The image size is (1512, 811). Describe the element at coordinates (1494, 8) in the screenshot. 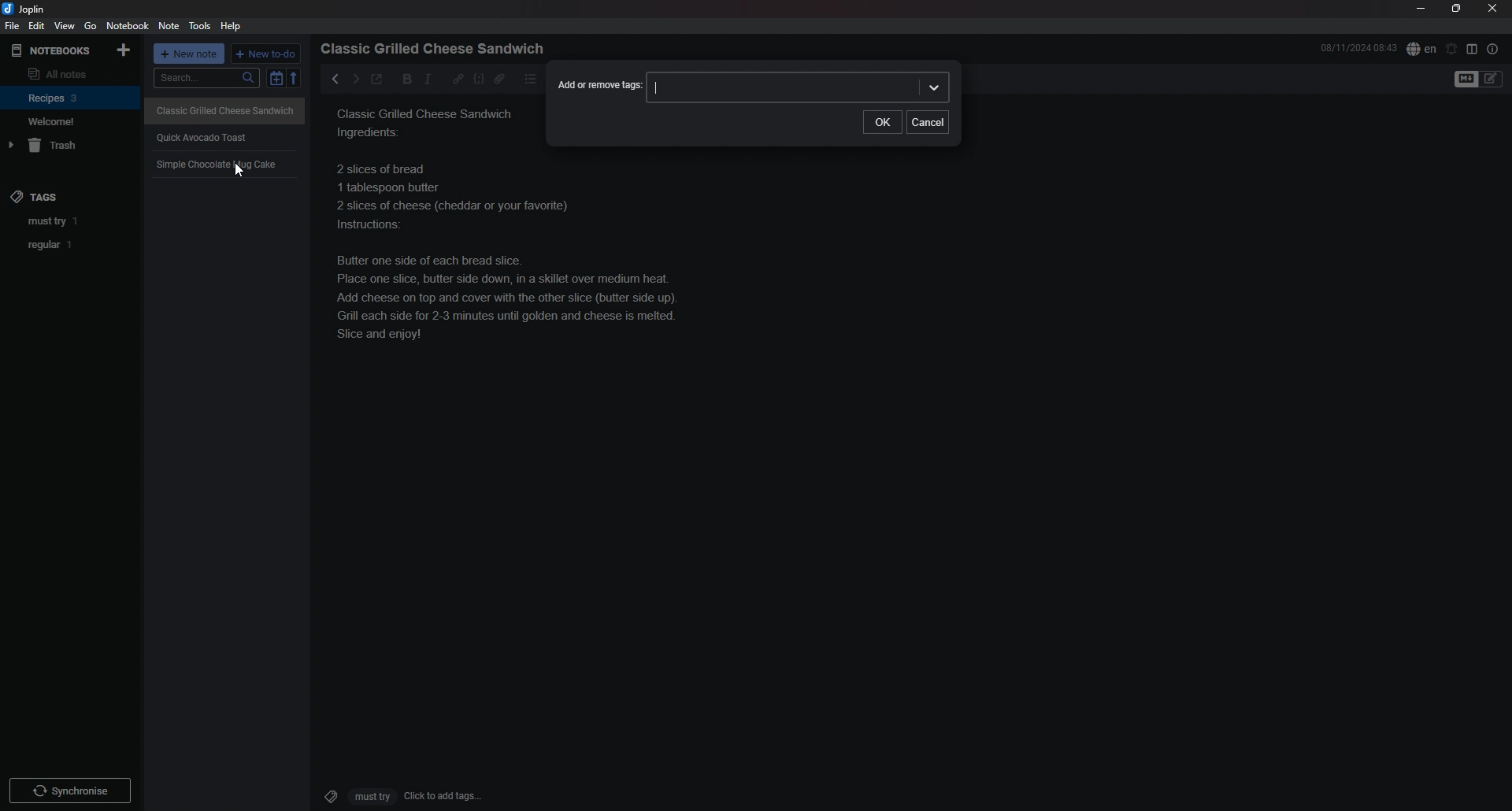

I see `close` at that location.